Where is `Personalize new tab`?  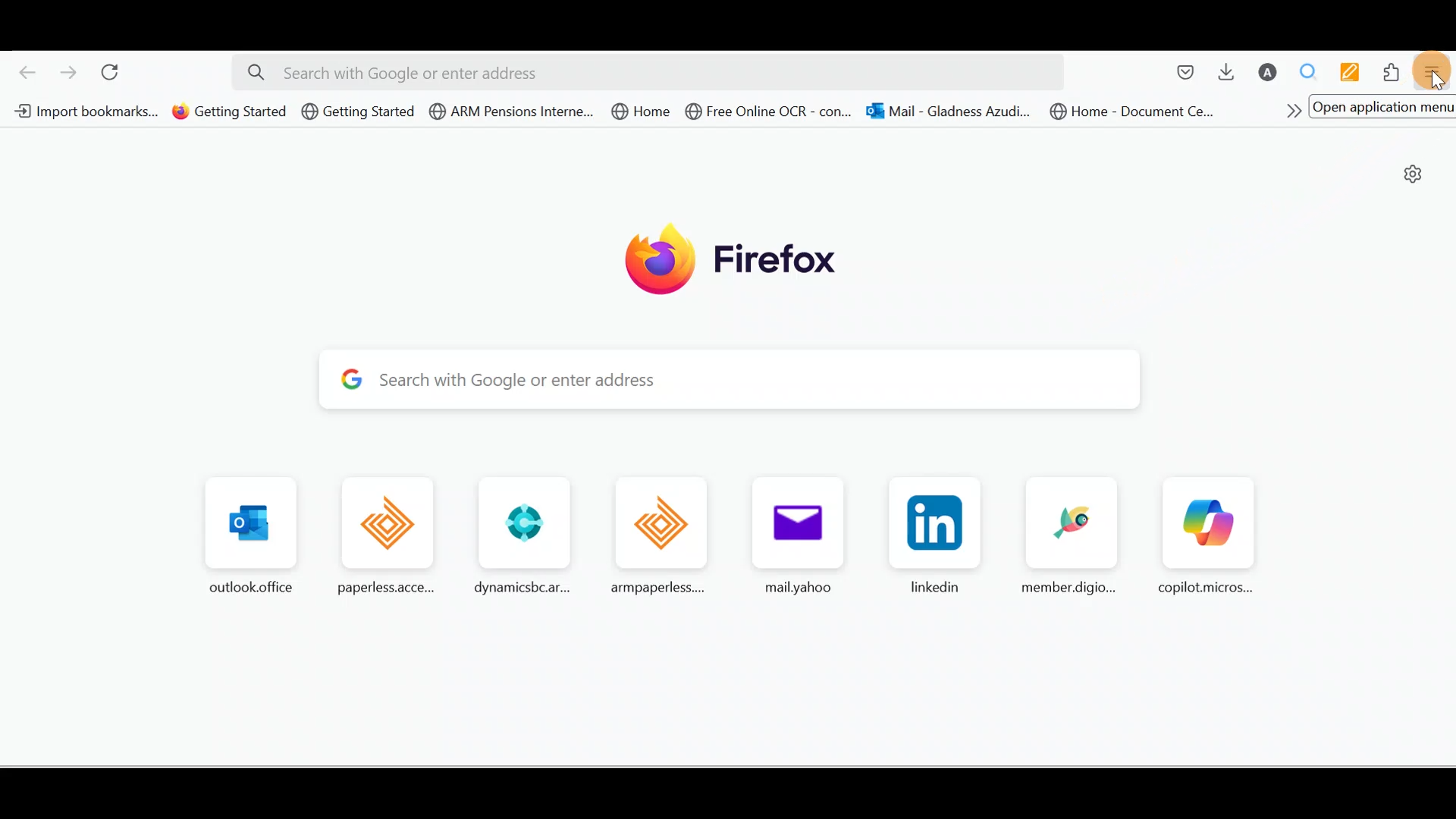 Personalize new tab is located at coordinates (1416, 177).